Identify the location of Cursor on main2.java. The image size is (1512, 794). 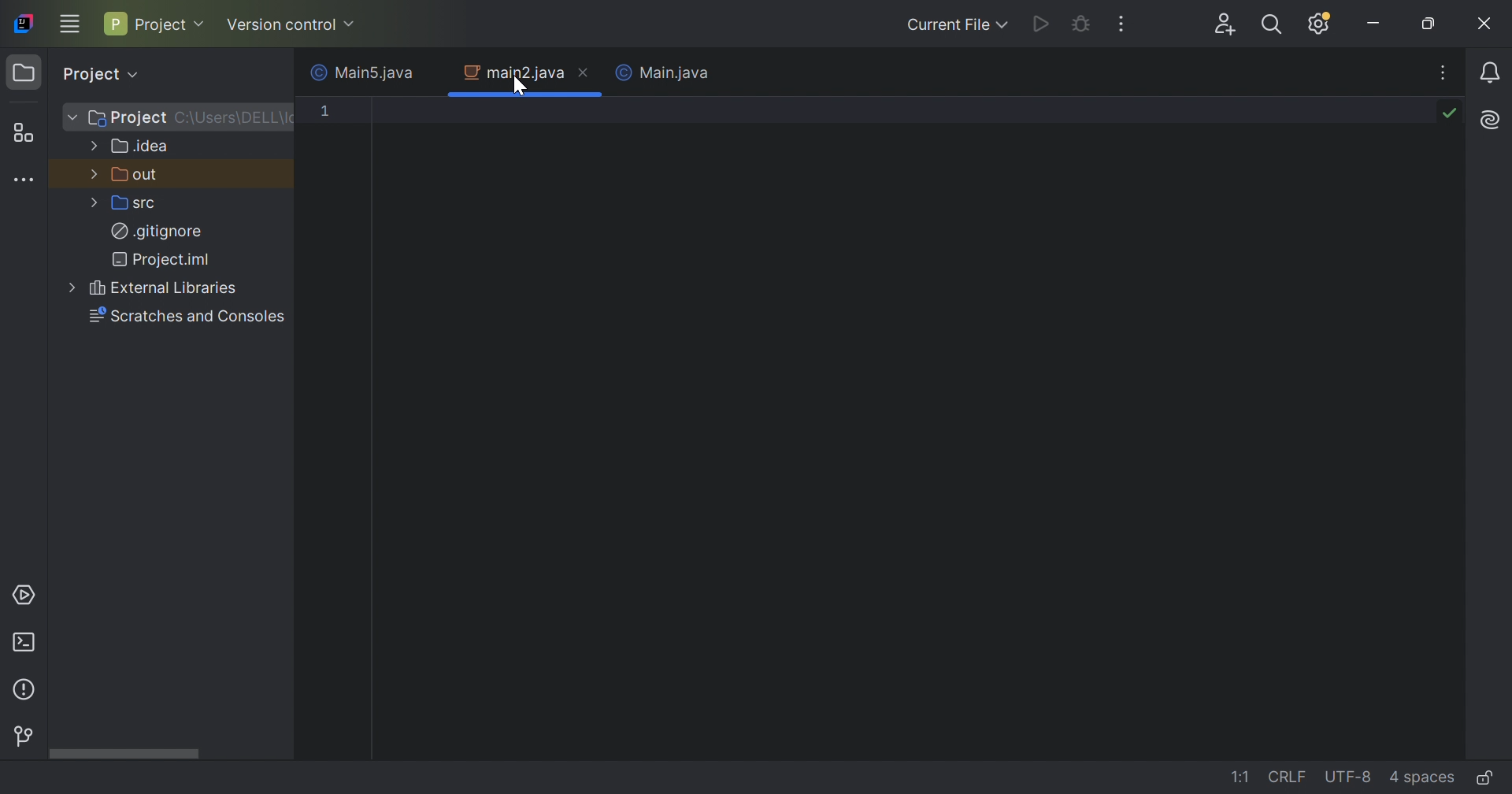
(520, 86).